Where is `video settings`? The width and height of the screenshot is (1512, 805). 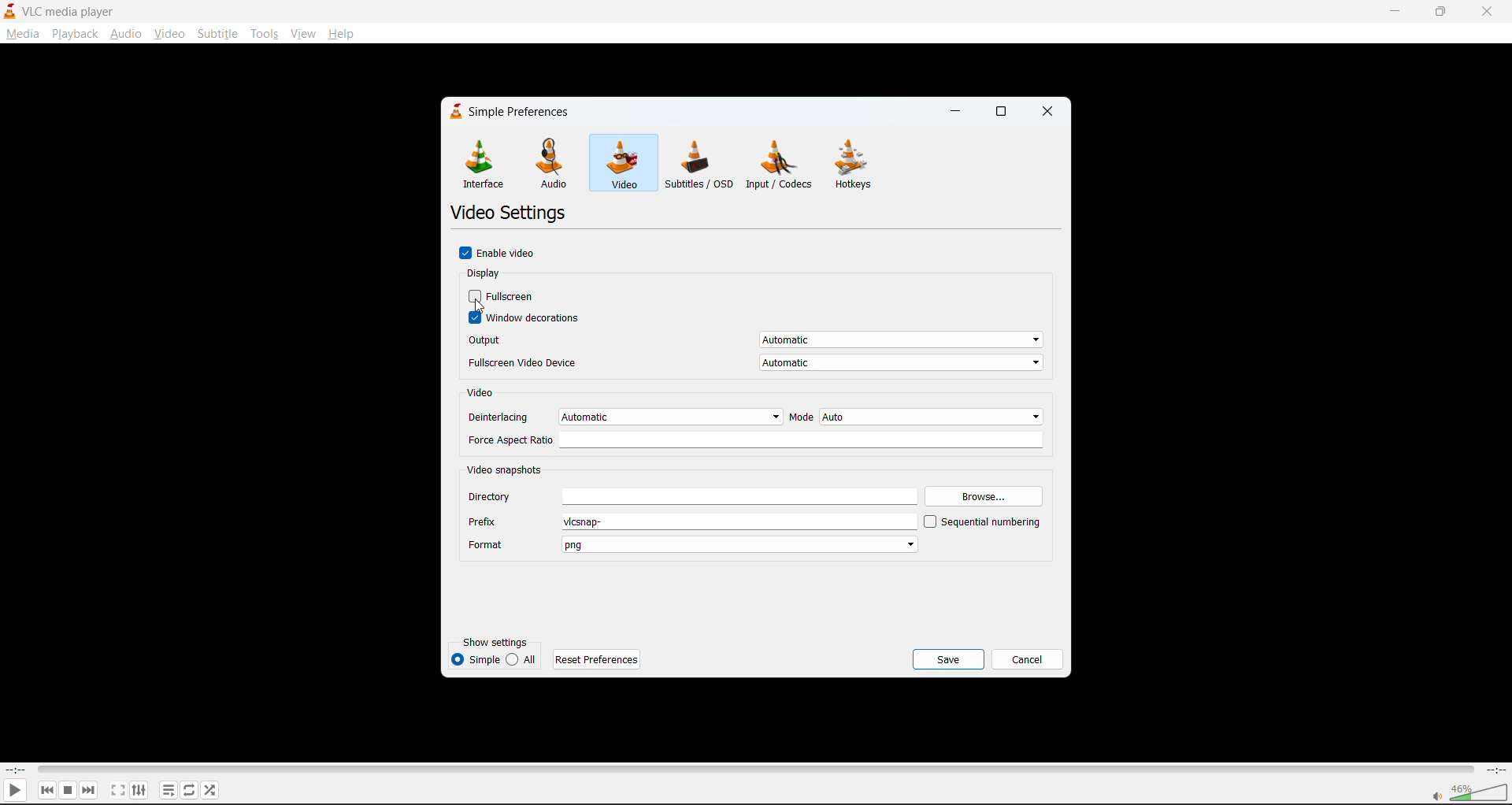
video settings is located at coordinates (508, 214).